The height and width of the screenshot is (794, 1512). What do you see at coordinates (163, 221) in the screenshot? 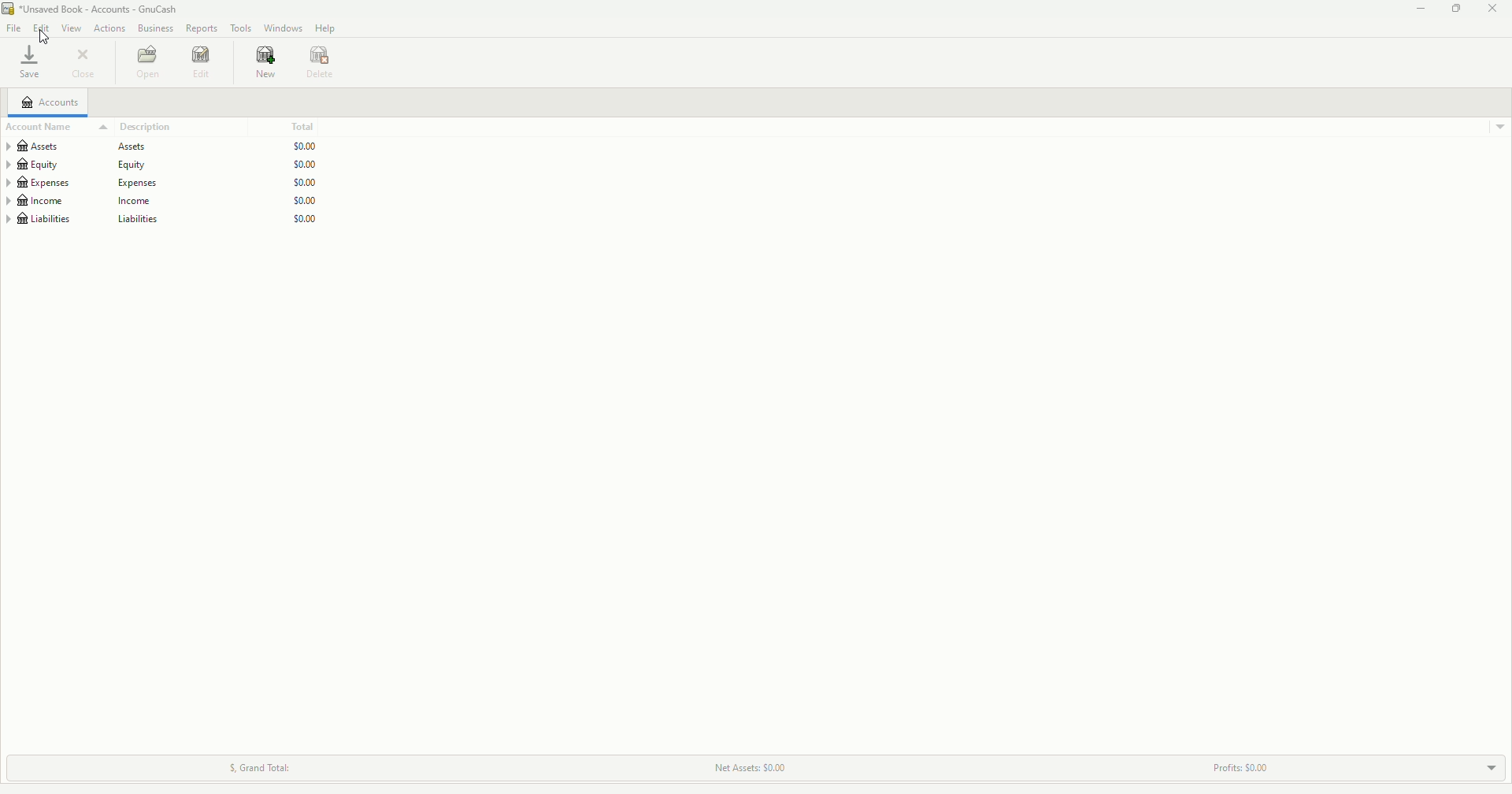
I see `Liabilities` at bounding box center [163, 221].